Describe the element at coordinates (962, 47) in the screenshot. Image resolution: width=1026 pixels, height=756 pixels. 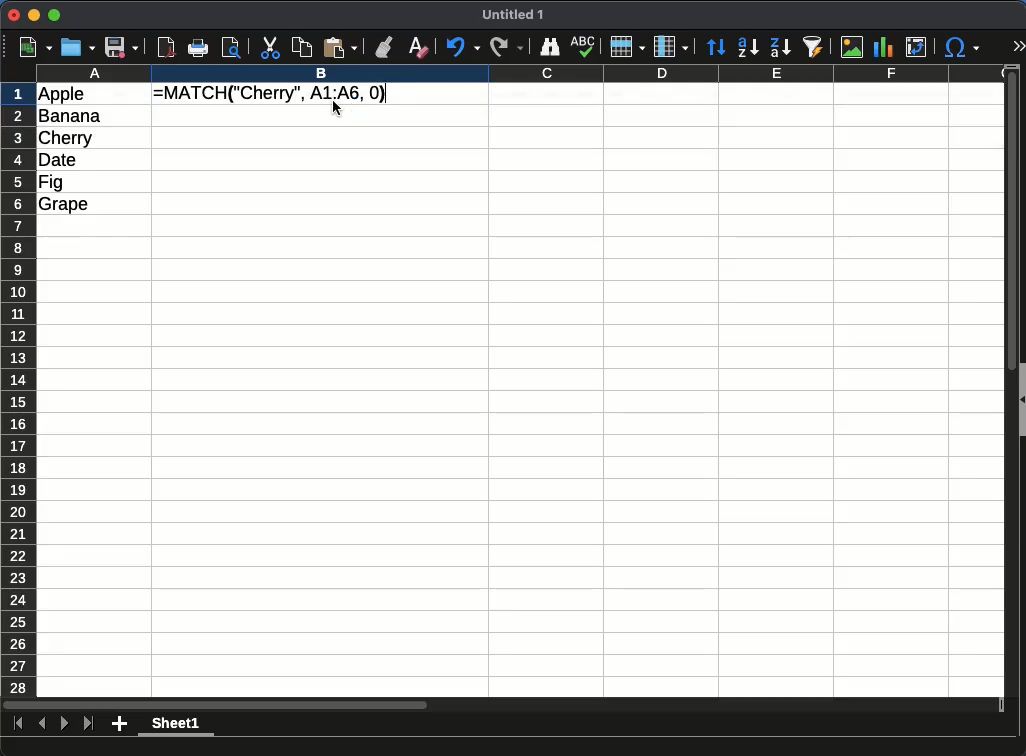
I see `special character` at that location.